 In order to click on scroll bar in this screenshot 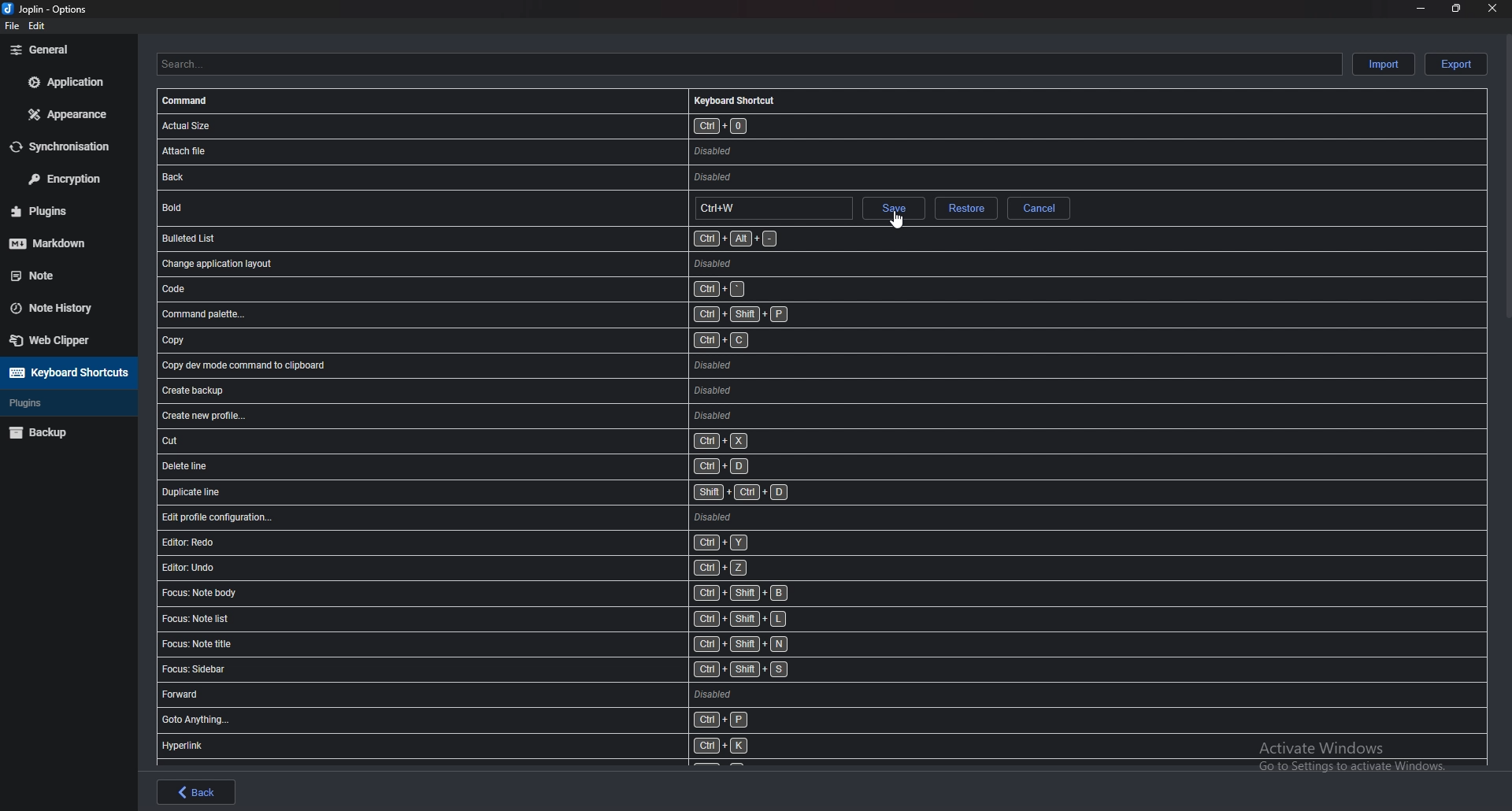, I will do `click(1506, 178)`.